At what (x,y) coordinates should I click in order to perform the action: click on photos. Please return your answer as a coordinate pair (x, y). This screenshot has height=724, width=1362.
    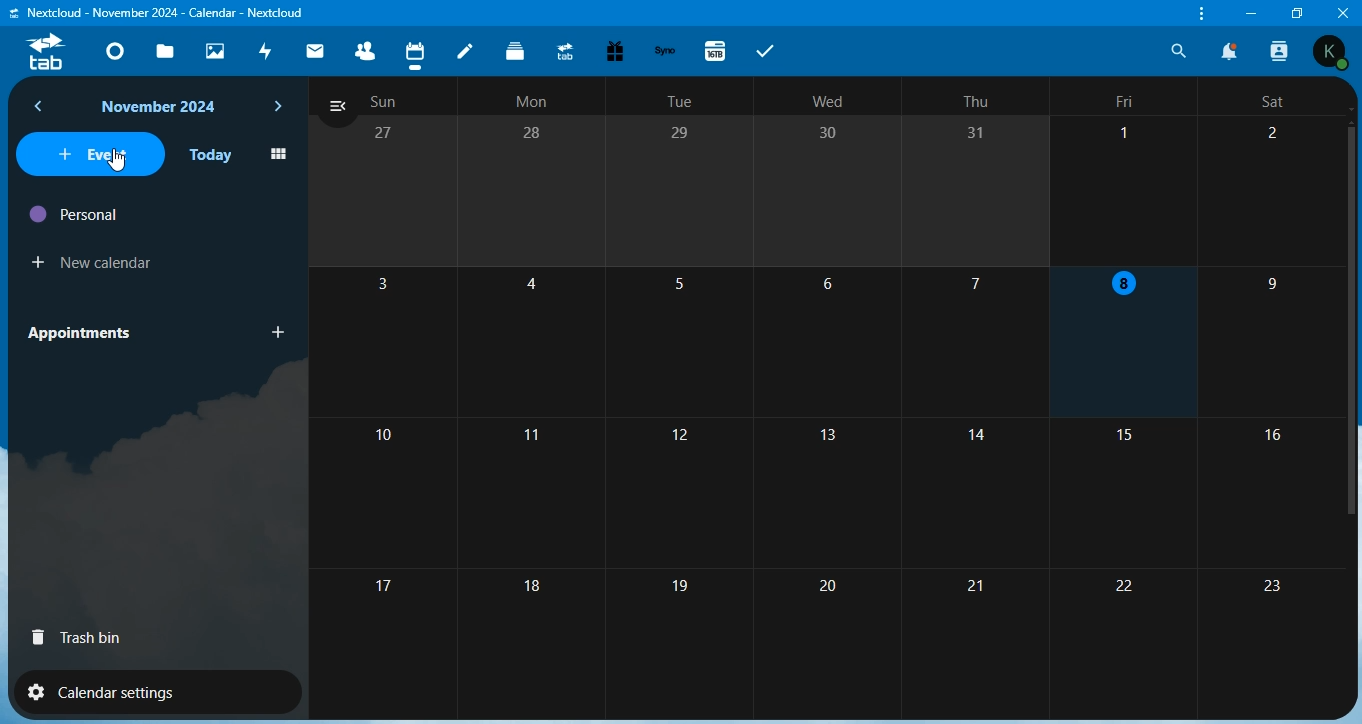
    Looking at the image, I should click on (216, 52).